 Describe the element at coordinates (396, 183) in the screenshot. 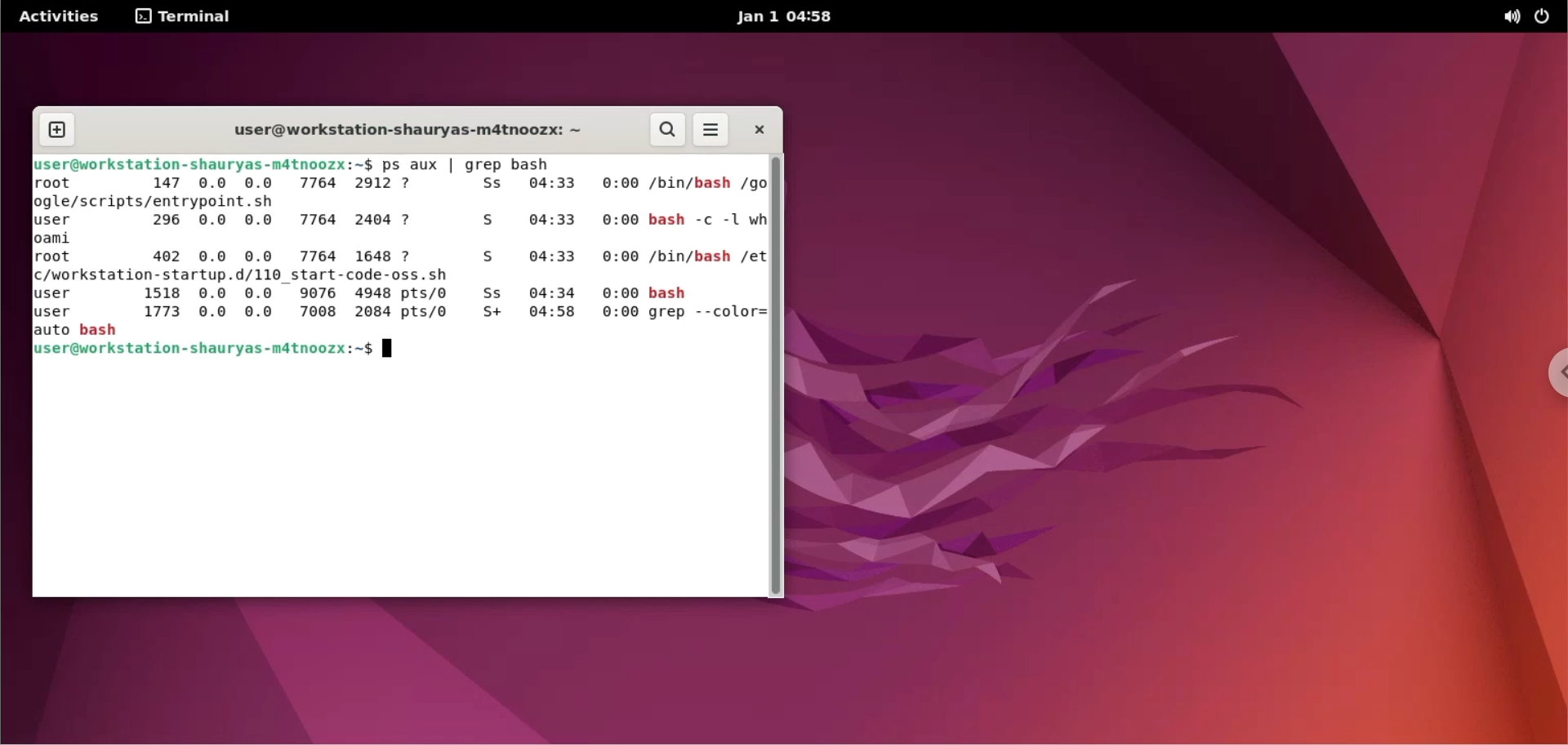

I see `root 147 0.0 0.0 7764 2912 ? $s 04:33 0:00 /bin/bash /go` at that location.